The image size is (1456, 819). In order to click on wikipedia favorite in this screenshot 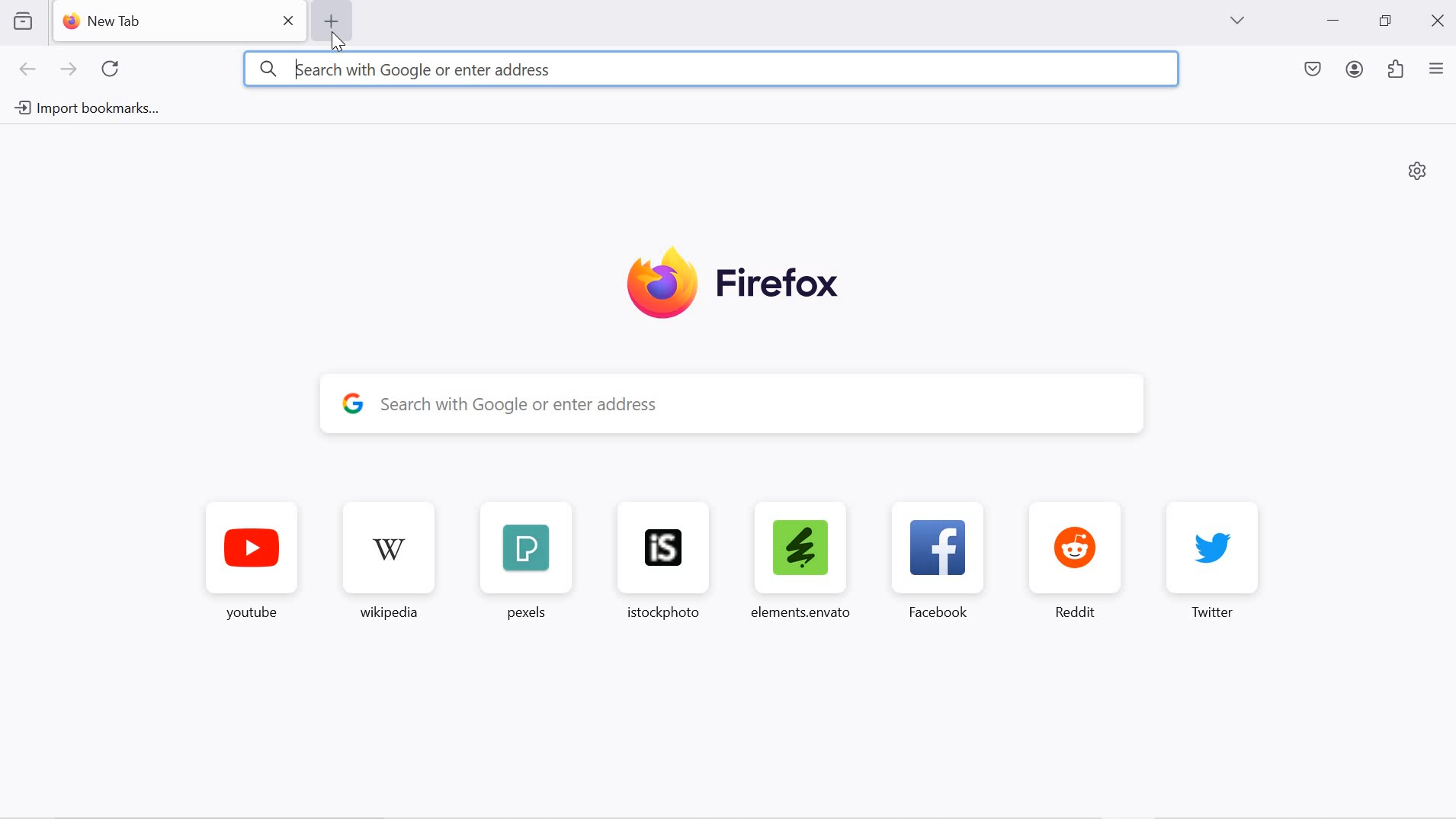, I will do `click(392, 564)`.